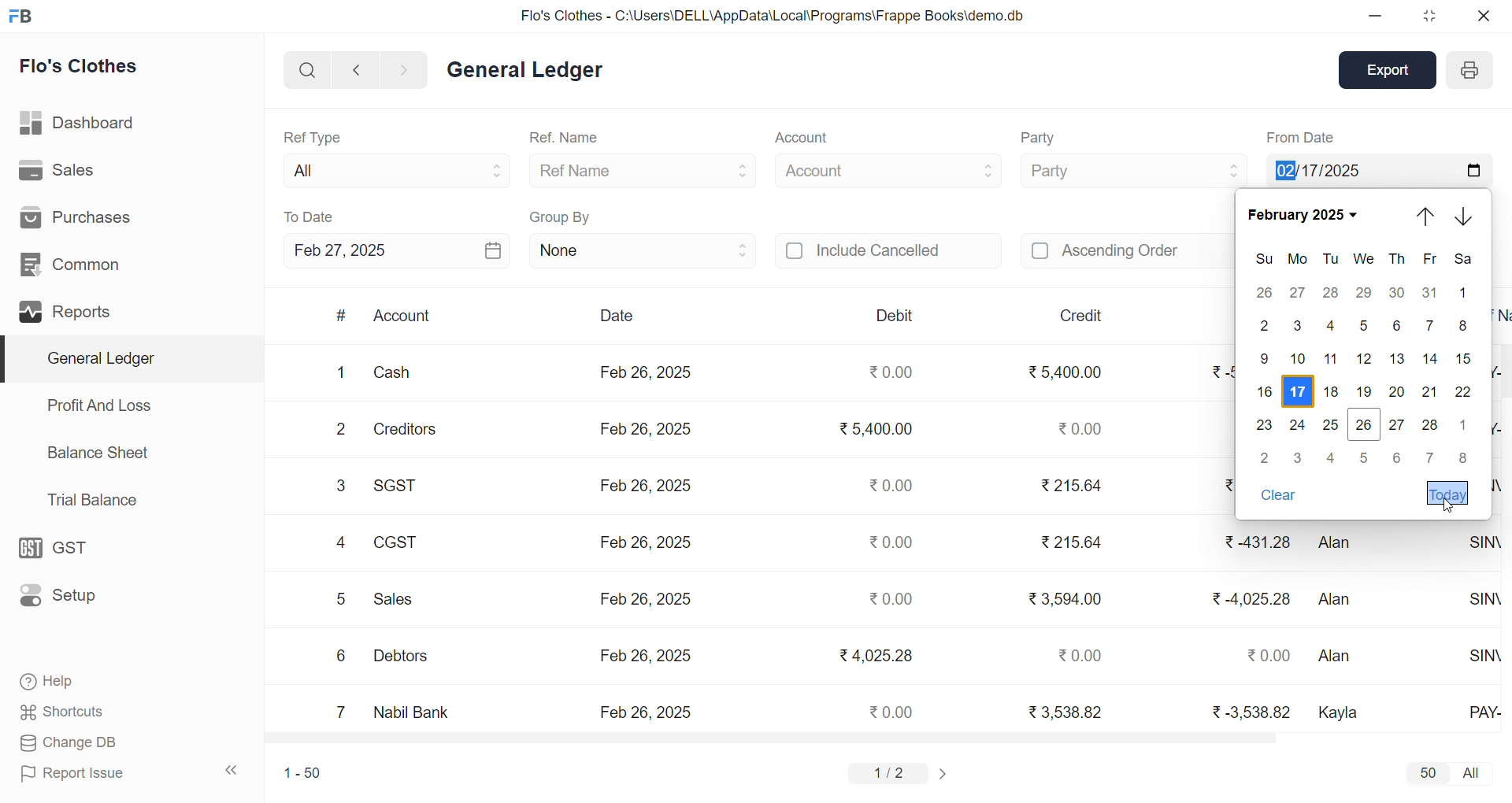 Image resolution: width=1512 pixels, height=803 pixels. Describe the element at coordinates (895, 315) in the screenshot. I see `Debit` at that location.